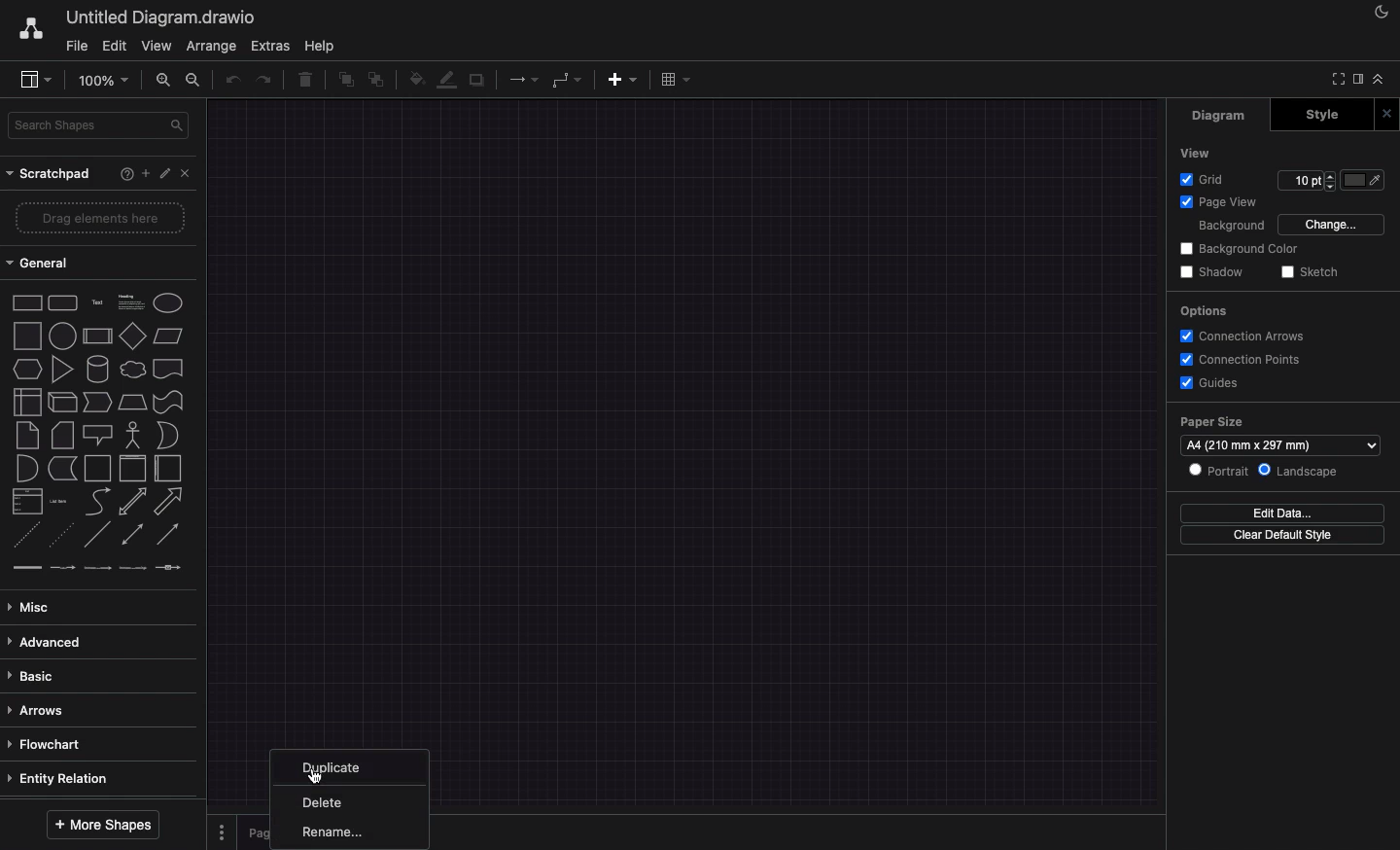 The width and height of the screenshot is (1400, 850). What do you see at coordinates (62, 404) in the screenshot?
I see `cube` at bounding box center [62, 404].